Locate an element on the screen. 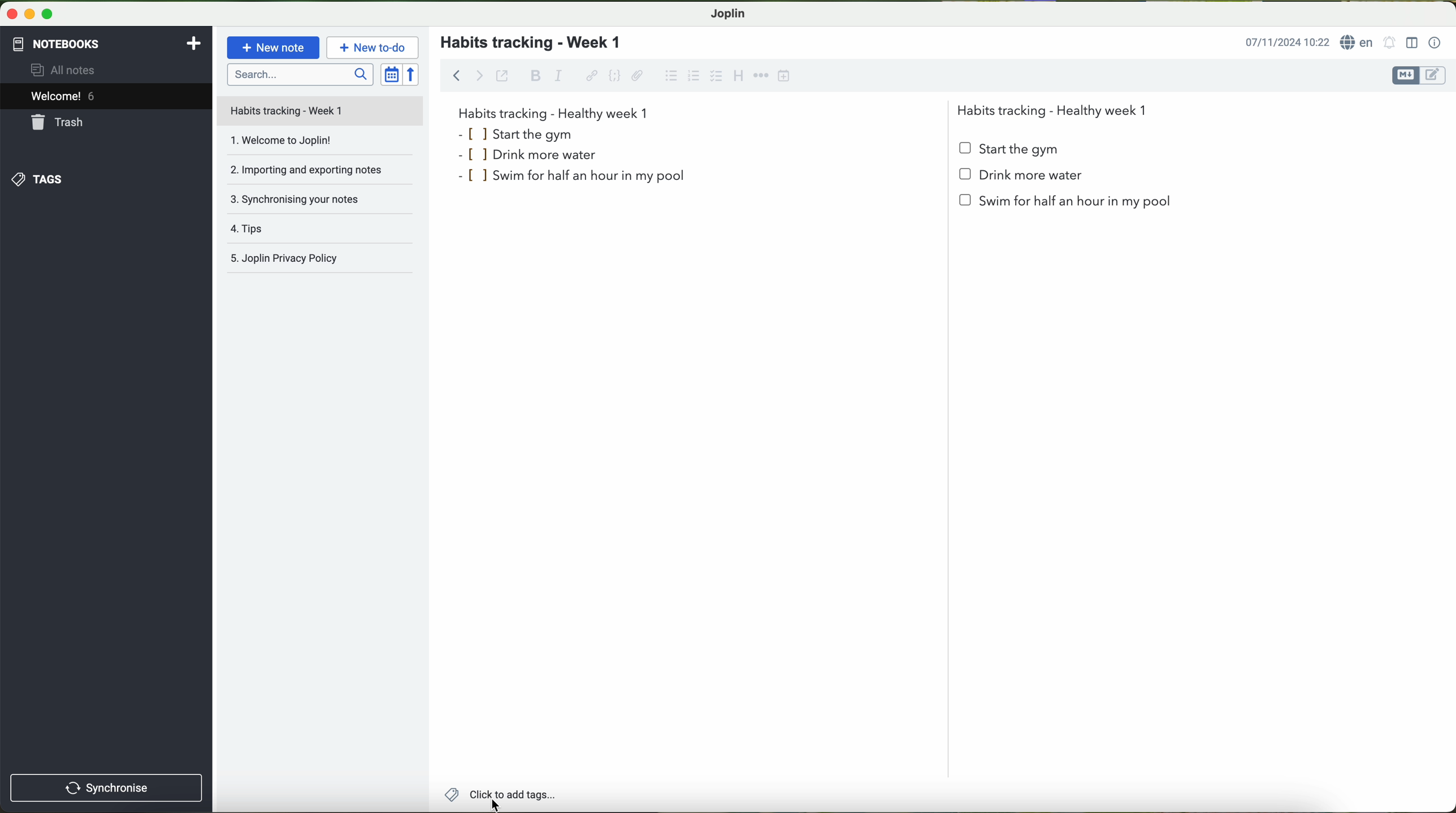 The image size is (1456, 813). back is located at coordinates (453, 74).